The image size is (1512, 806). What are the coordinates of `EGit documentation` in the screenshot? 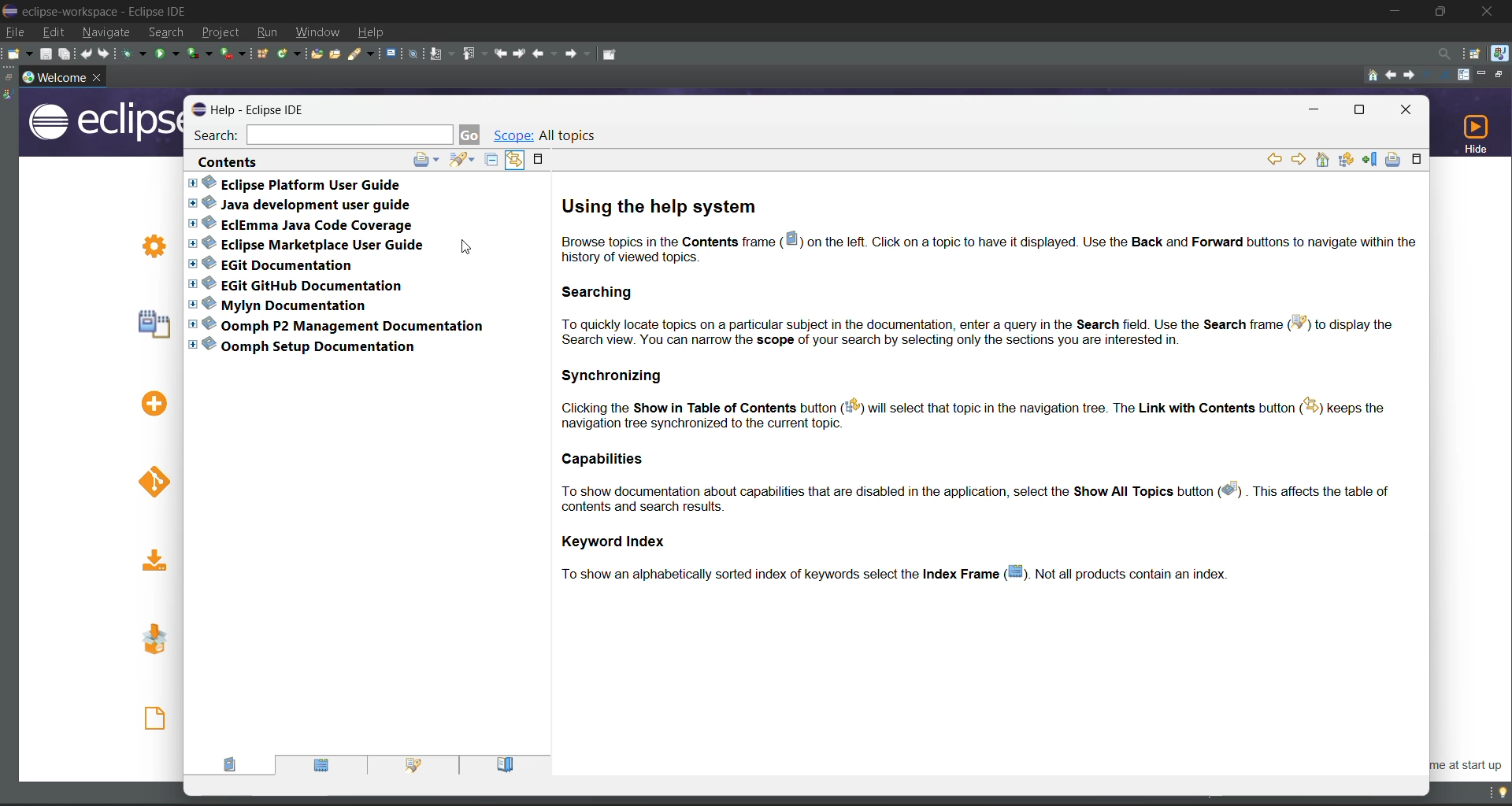 It's located at (272, 265).